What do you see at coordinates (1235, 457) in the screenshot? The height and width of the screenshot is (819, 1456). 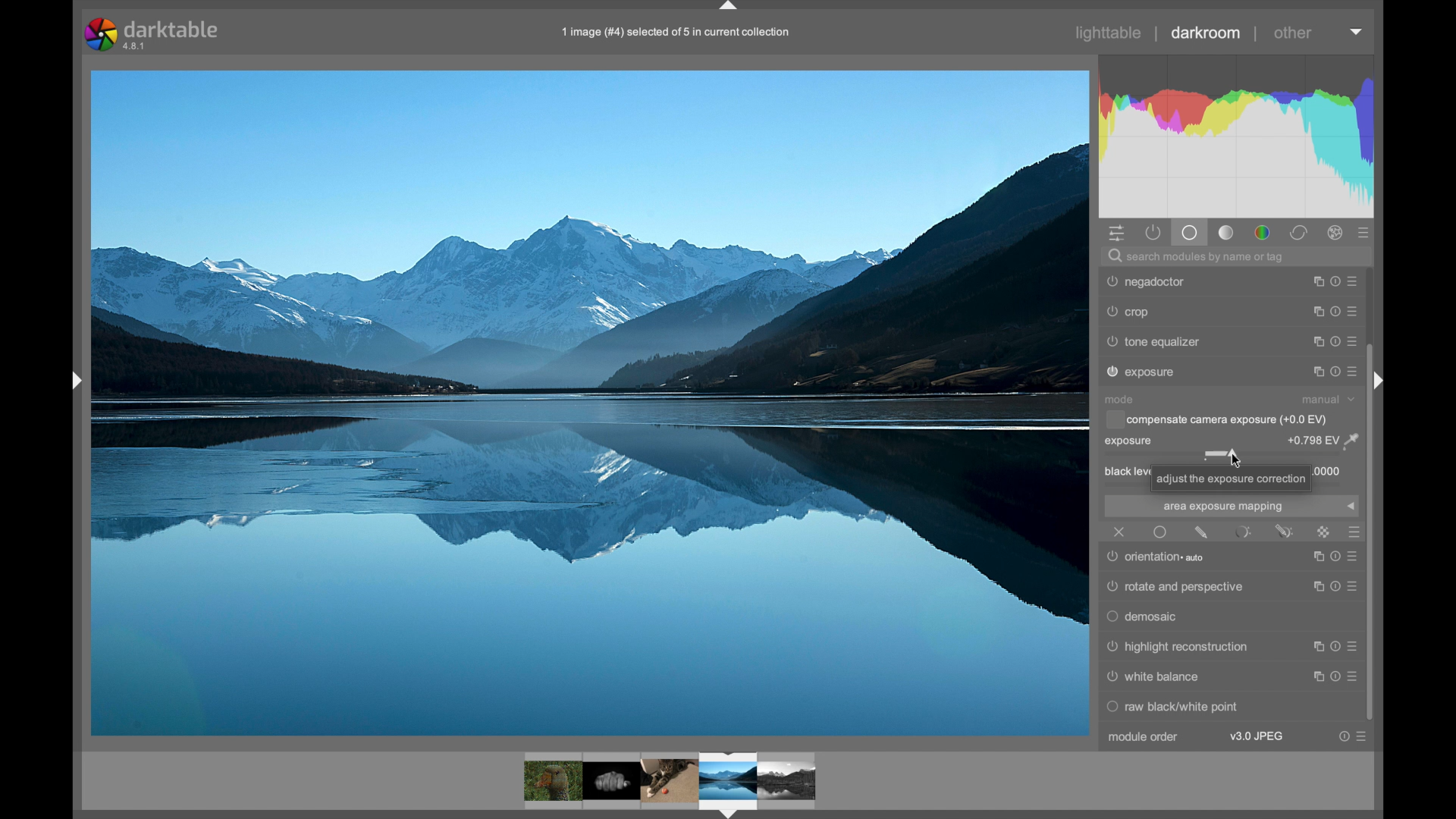 I see `cursor` at bounding box center [1235, 457].